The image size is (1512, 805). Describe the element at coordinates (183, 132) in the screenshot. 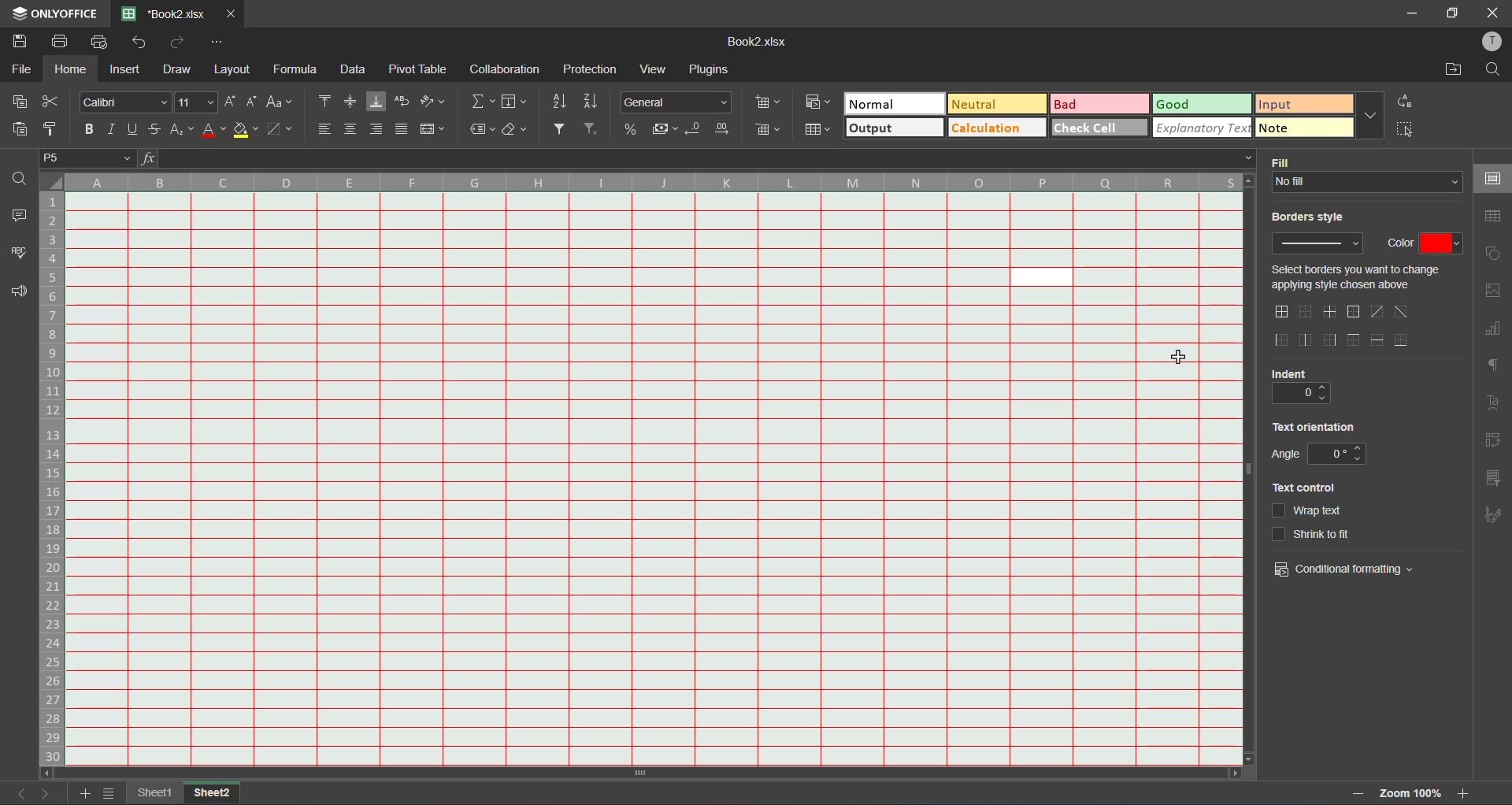

I see `sub/superscript` at that location.